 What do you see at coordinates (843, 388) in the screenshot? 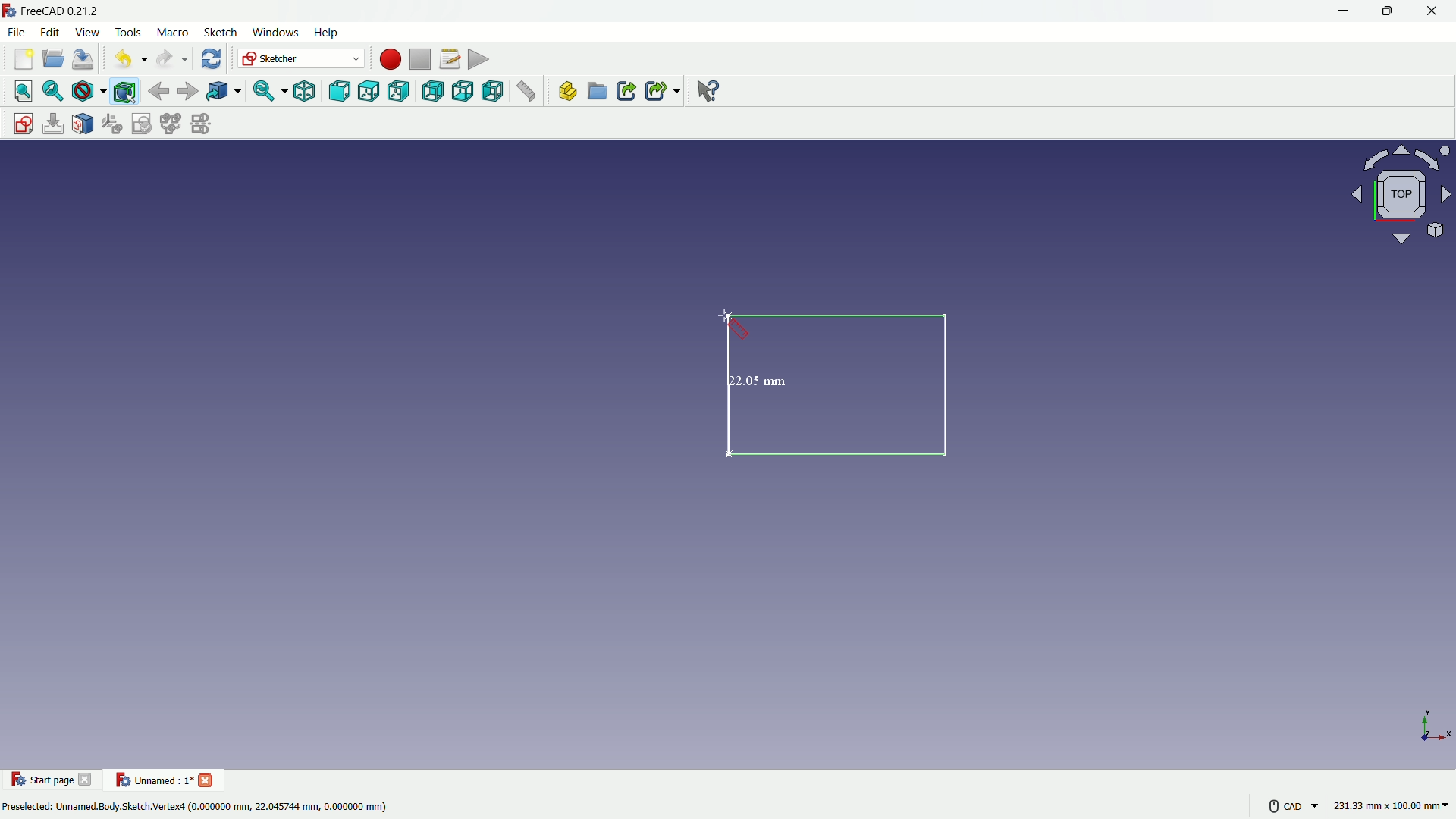
I see `rectangle` at bounding box center [843, 388].